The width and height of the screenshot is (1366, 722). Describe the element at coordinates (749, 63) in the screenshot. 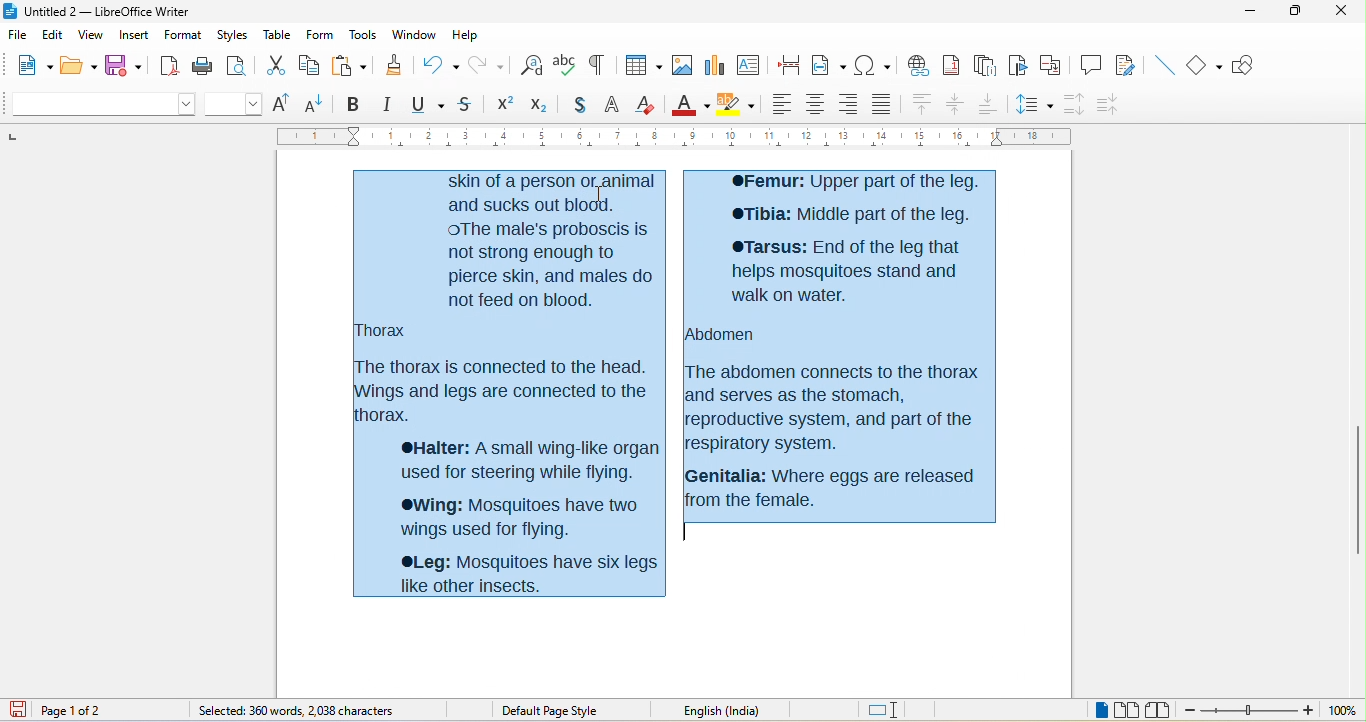

I see `text box` at that location.